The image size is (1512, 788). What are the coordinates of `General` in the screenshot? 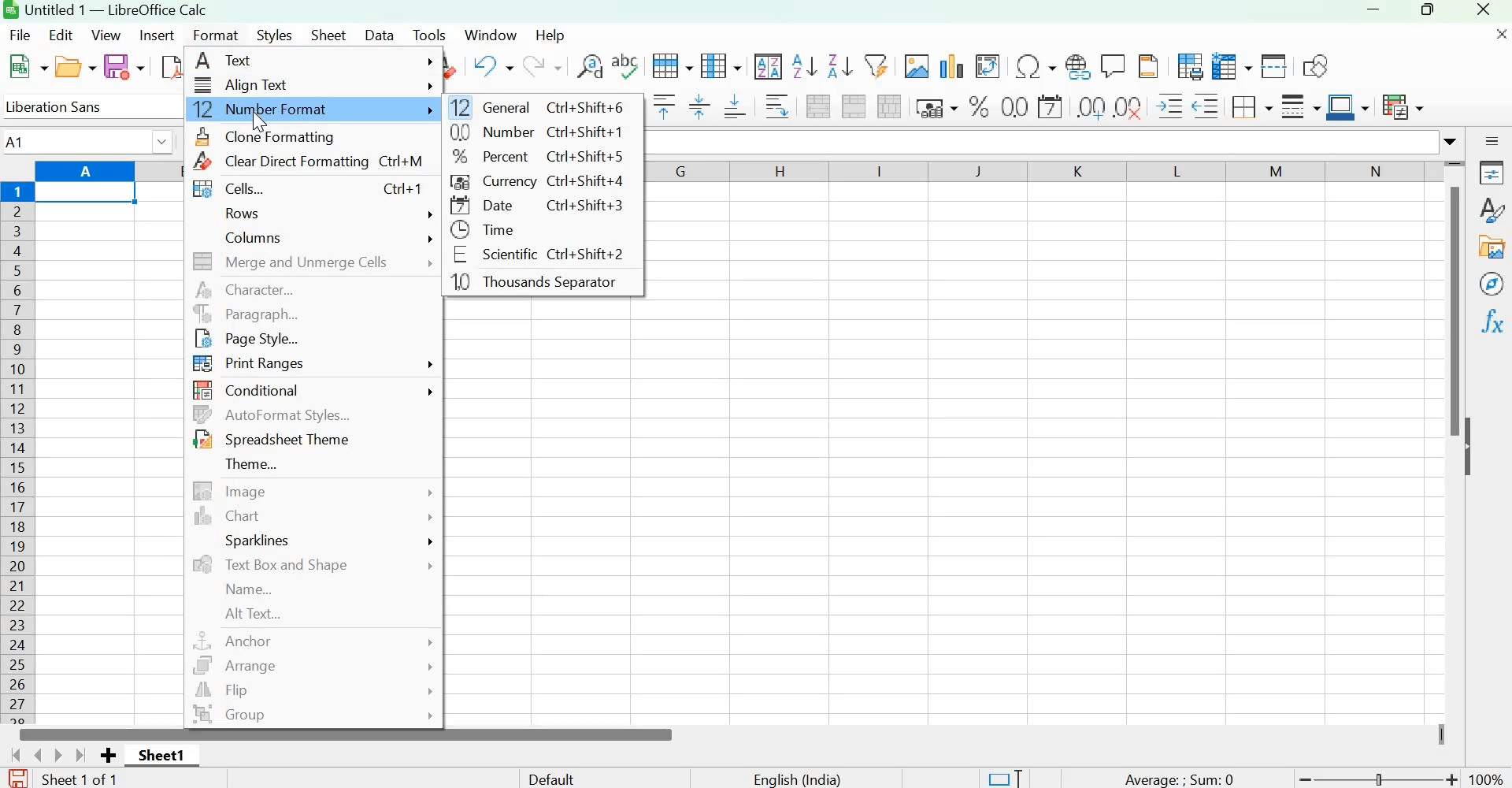 It's located at (537, 106).